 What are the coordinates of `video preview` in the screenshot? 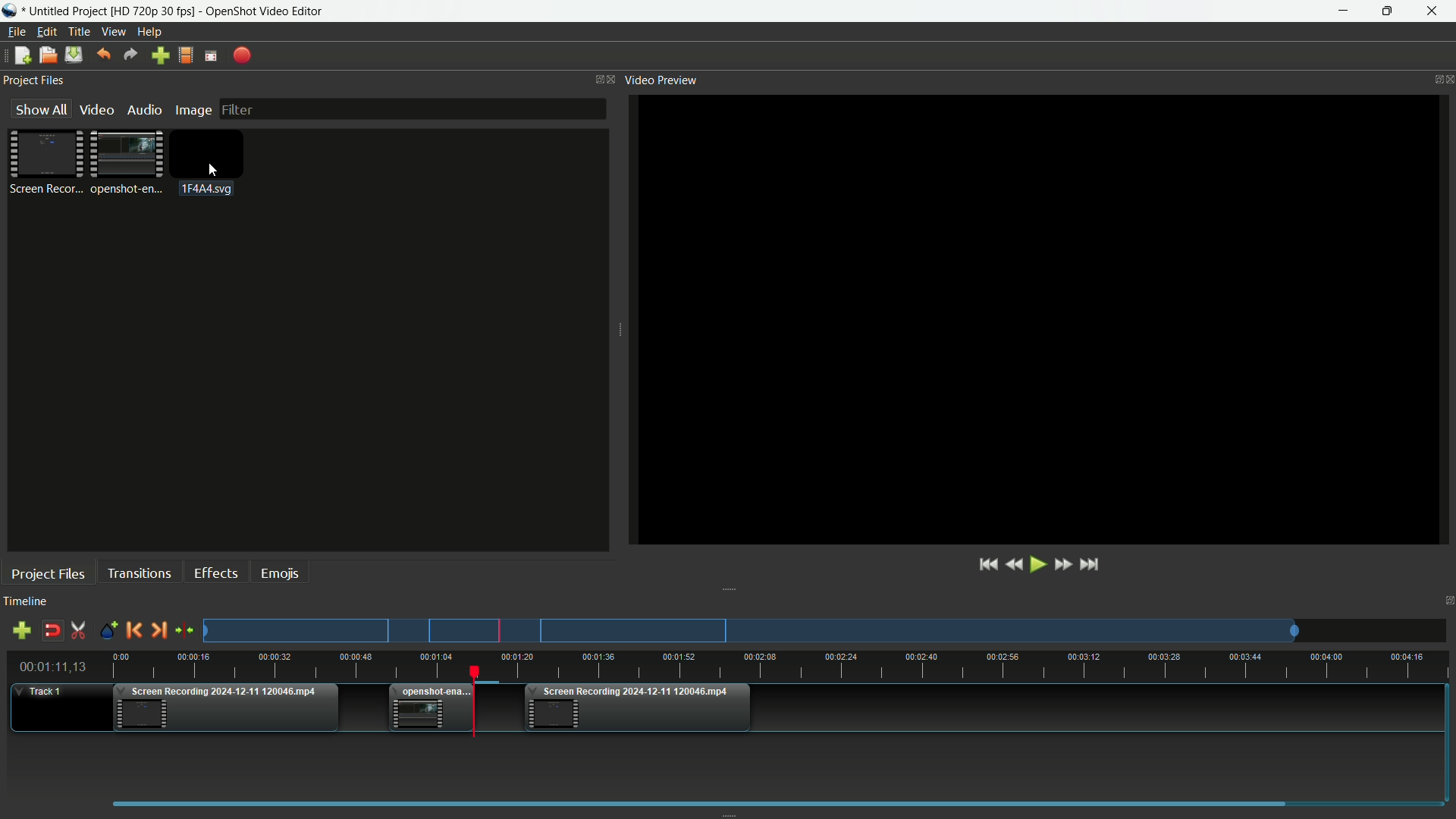 It's located at (1043, 318).